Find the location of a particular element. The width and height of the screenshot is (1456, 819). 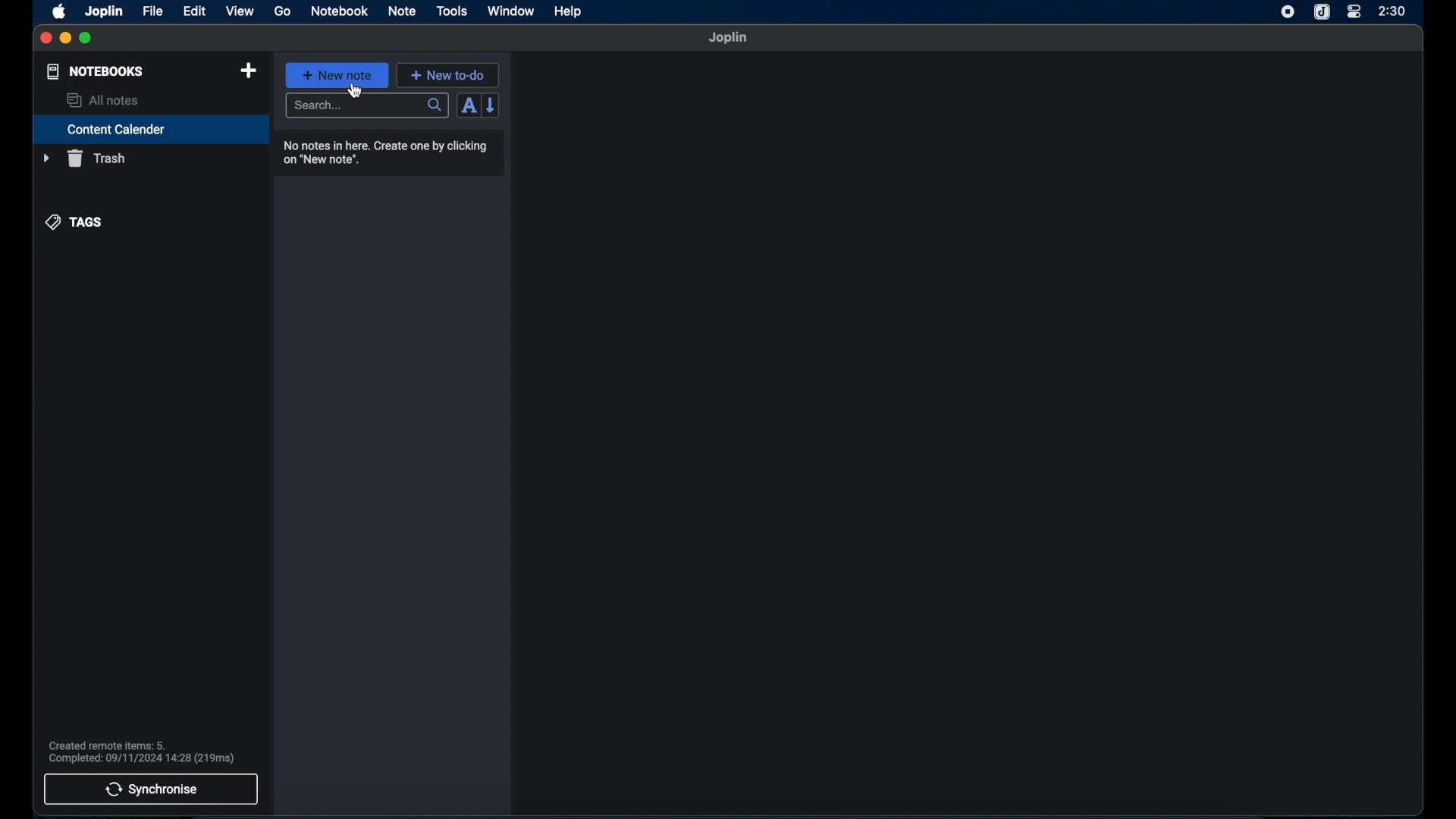

minimize is located at coordinates (64, 39).